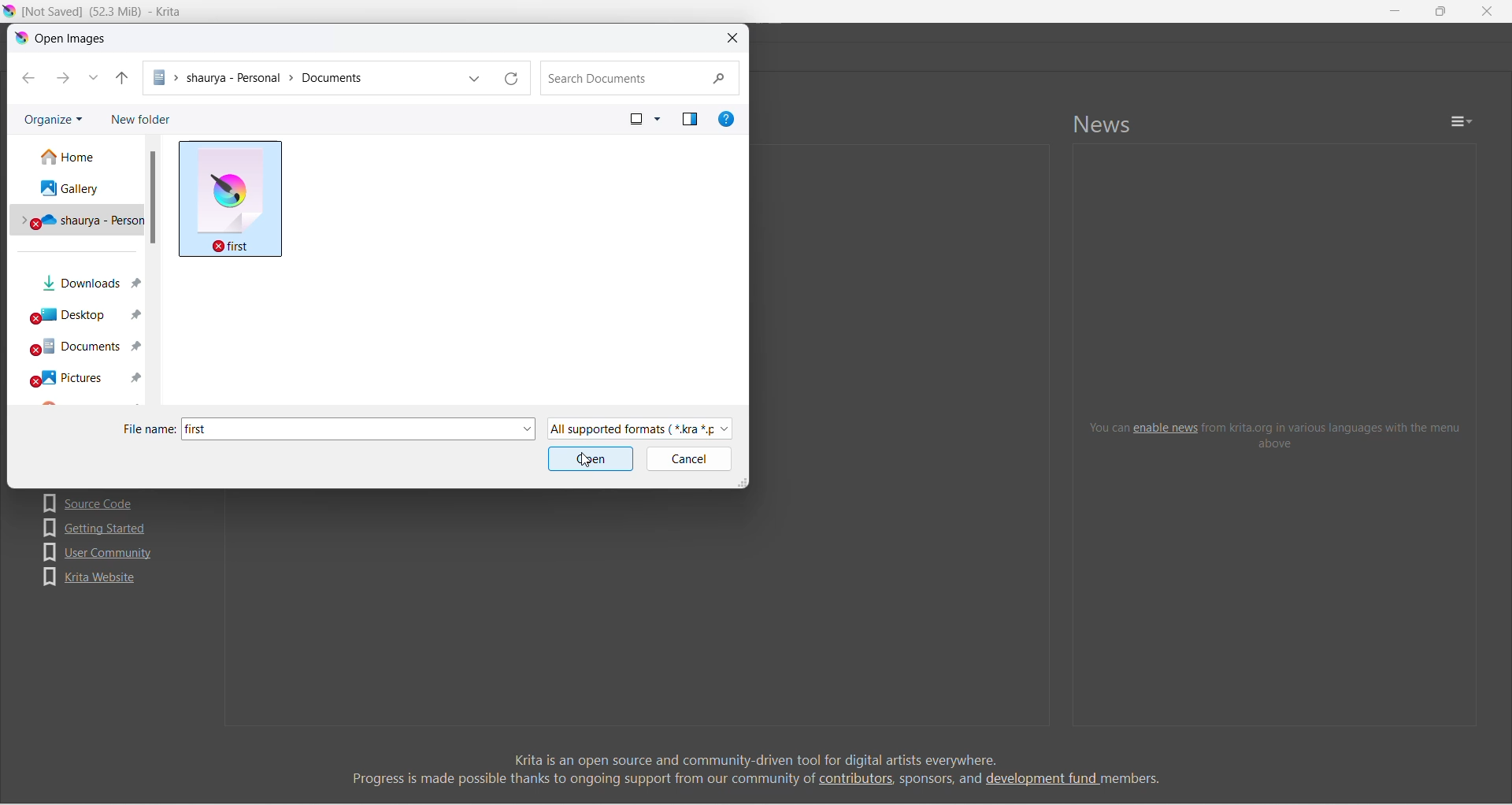 Image resolution: width=1512 pixels, height=805 pixels. I want to click on information related krita software, so click(755, 769).